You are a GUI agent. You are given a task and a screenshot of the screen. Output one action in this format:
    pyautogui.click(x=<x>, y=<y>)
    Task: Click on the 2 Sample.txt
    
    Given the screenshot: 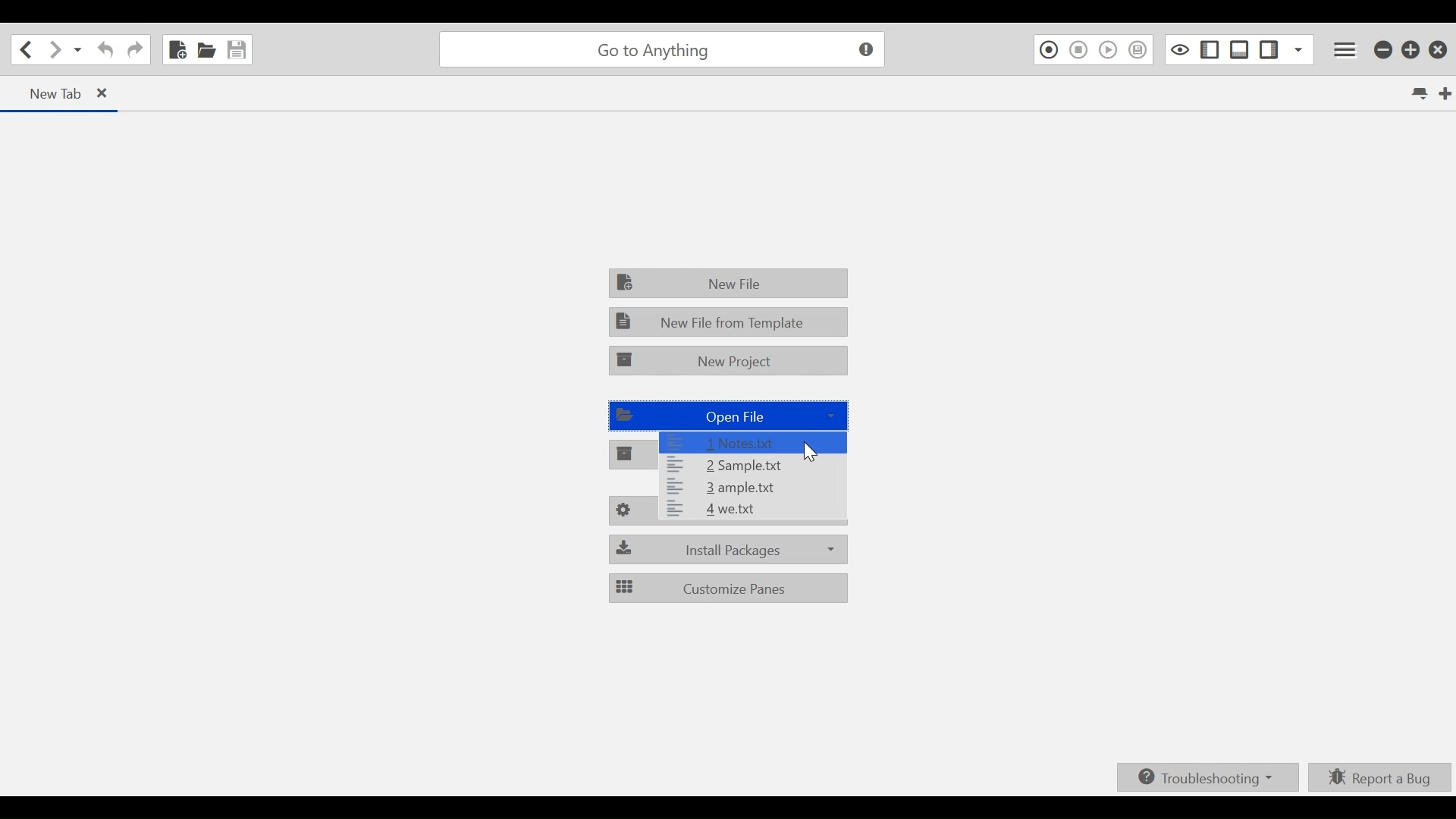 What is the action you would take?
    pyautogui.click(x=750, y=466)
    